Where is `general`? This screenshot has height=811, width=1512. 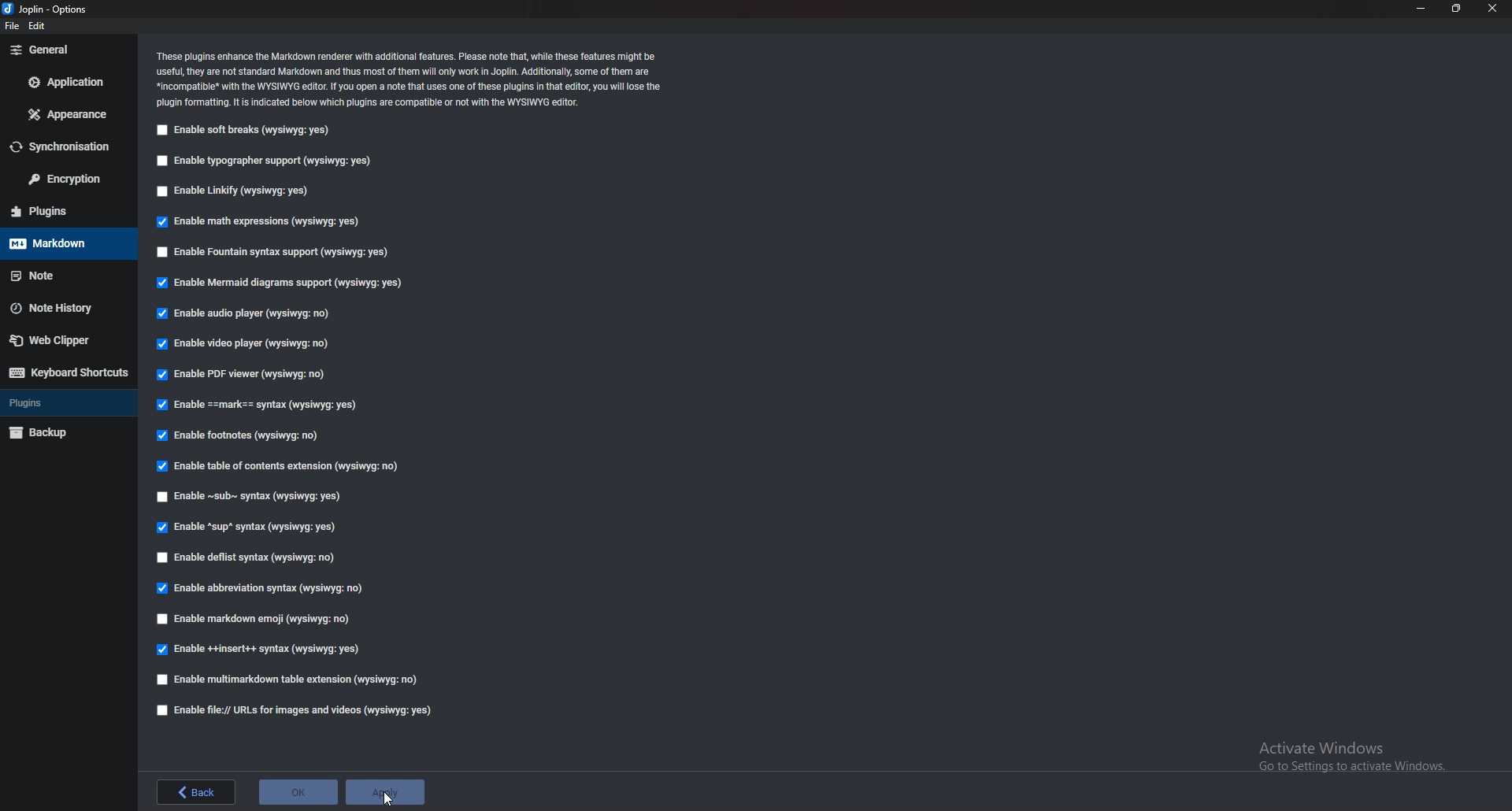
general is located at coordinates (69, 49).